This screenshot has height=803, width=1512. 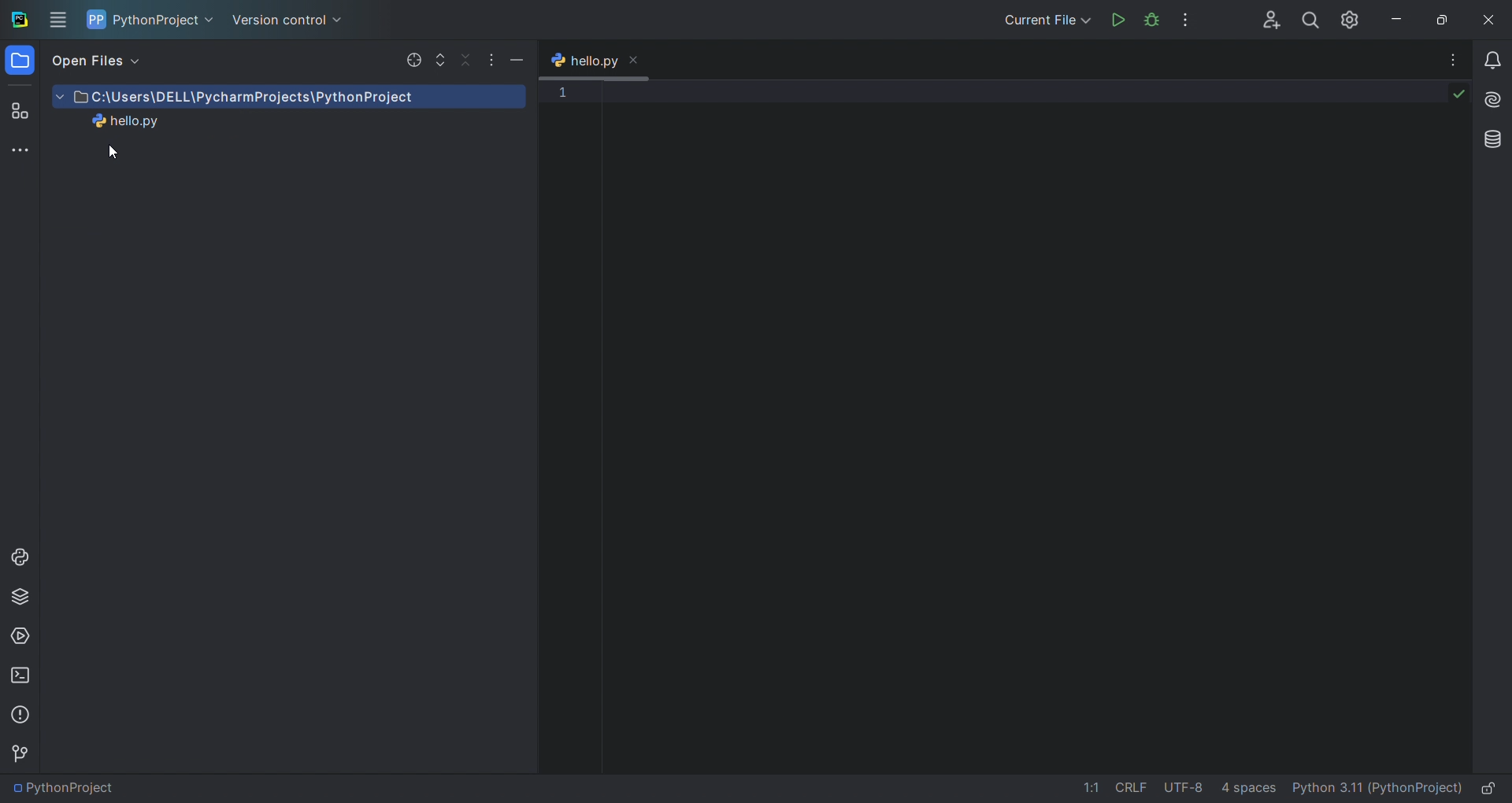 What do you see at coordinates (1027, 424) in the screenshot?
I see `code editor` at bounding box center [1027, 424].